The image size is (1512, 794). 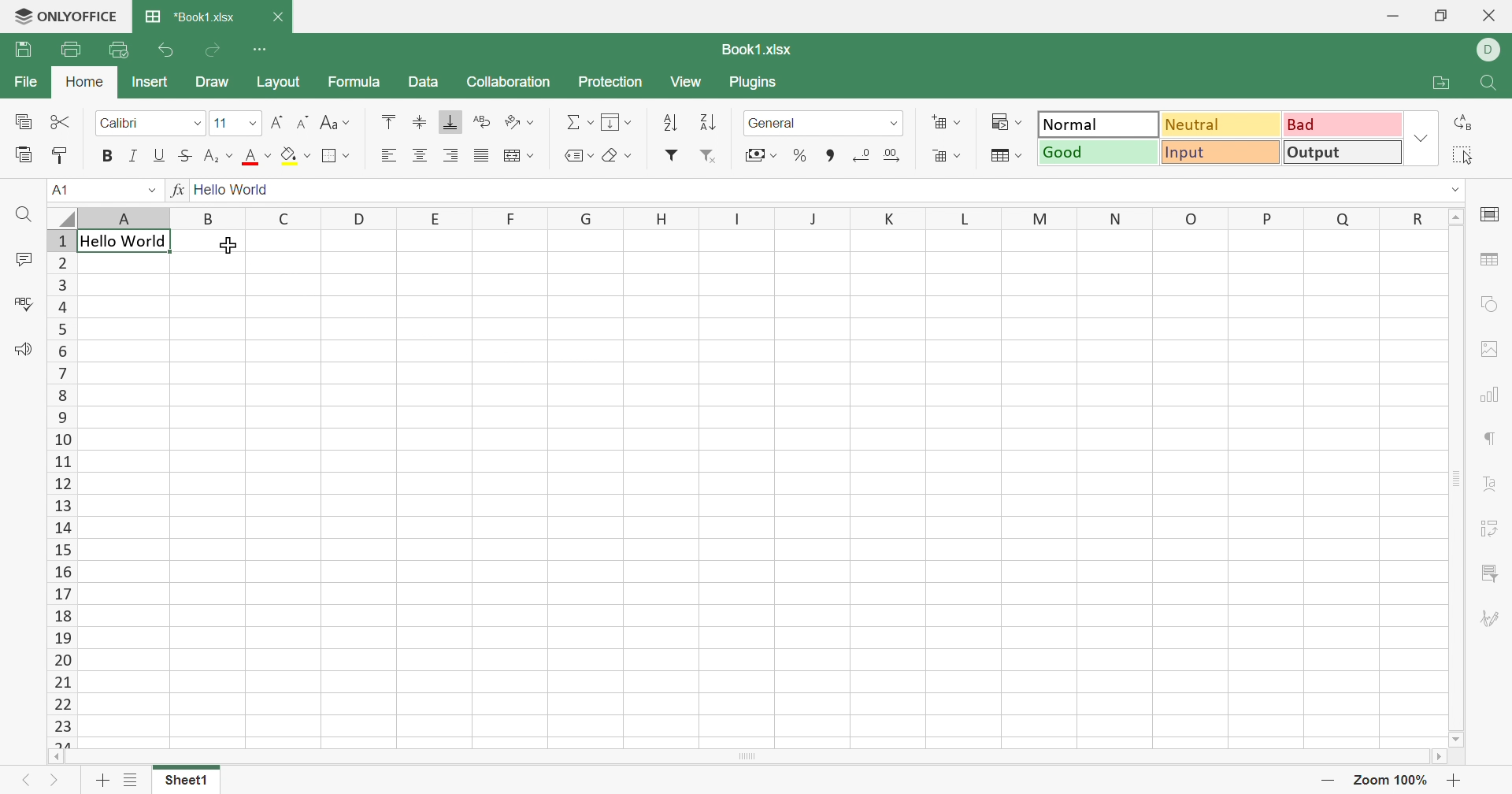 I want to click on Increase decimal, so click(x=895, y=155).